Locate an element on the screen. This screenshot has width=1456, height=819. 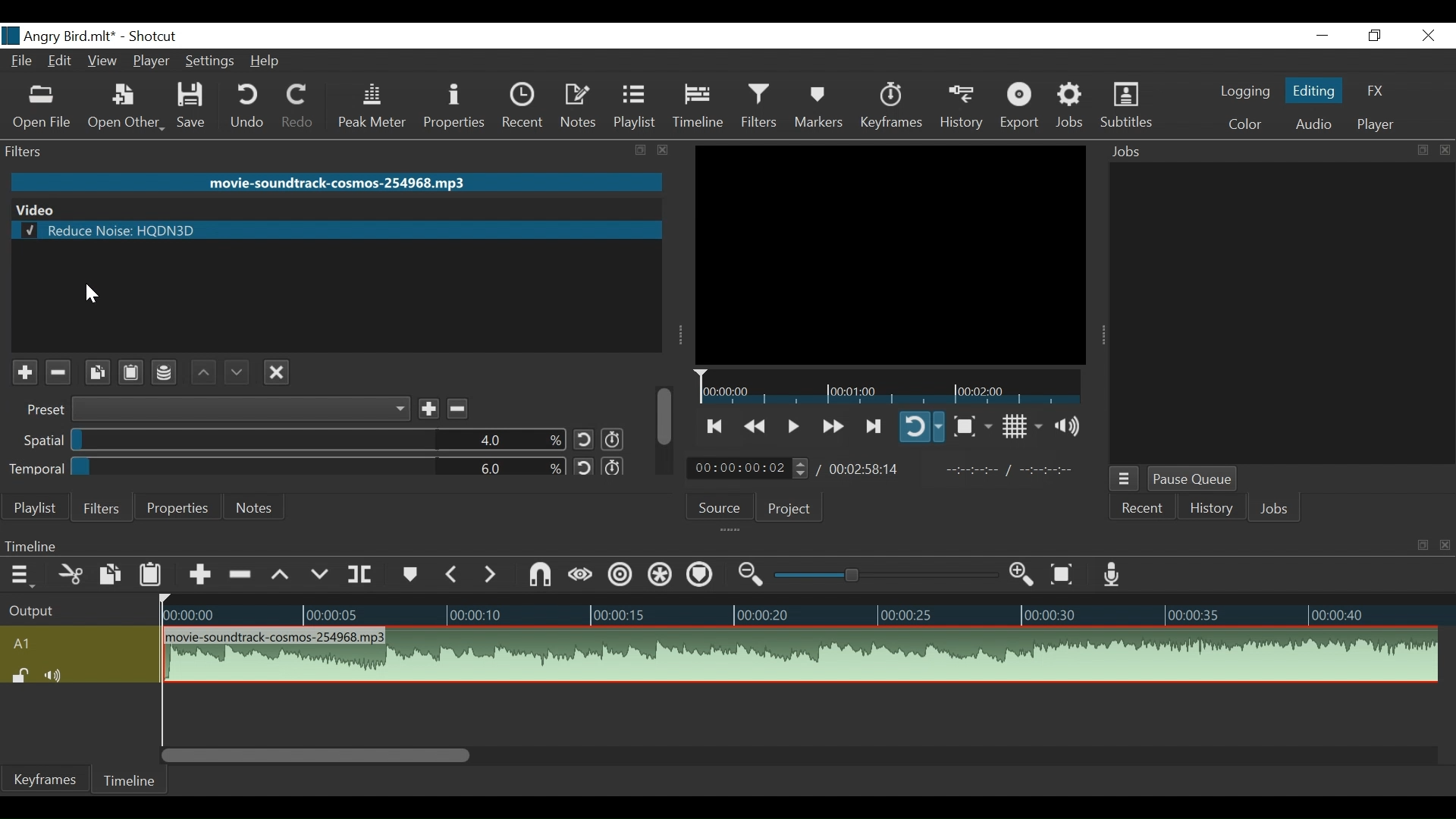
resize is located at coordinates (639, 150).